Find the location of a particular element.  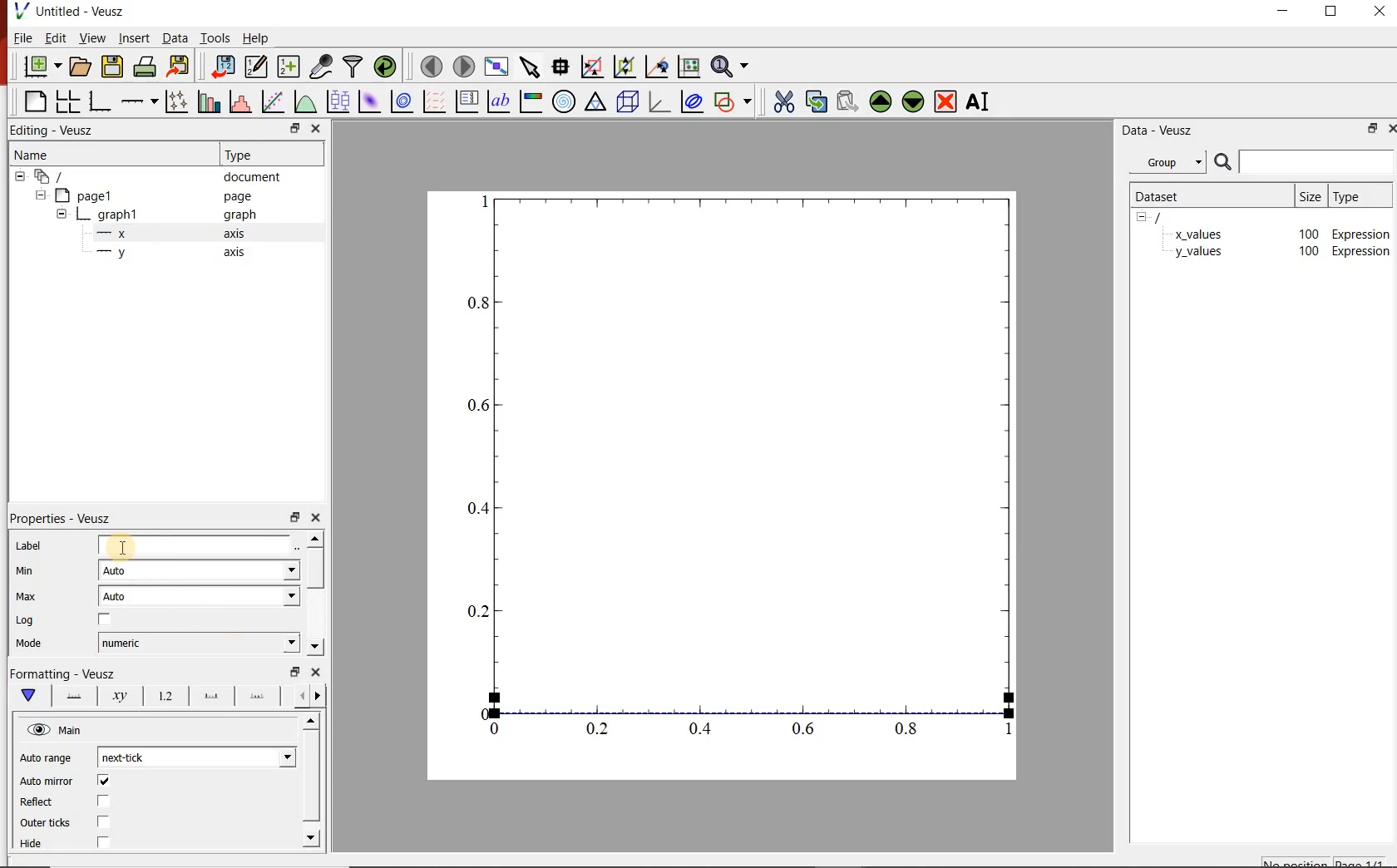

export to graphics format is located at coordinates (180, 66).